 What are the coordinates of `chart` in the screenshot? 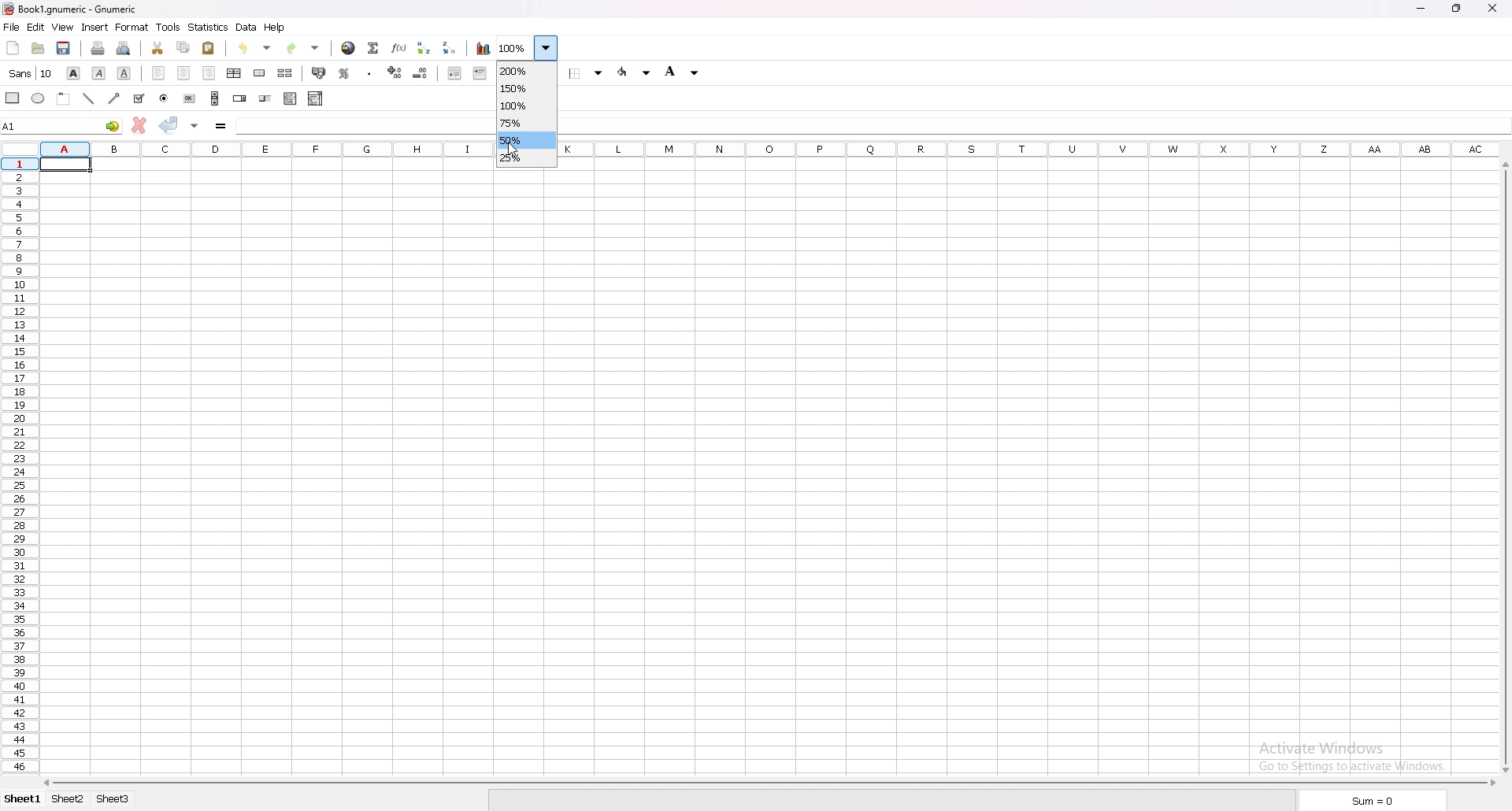 It's located at (483, 50).